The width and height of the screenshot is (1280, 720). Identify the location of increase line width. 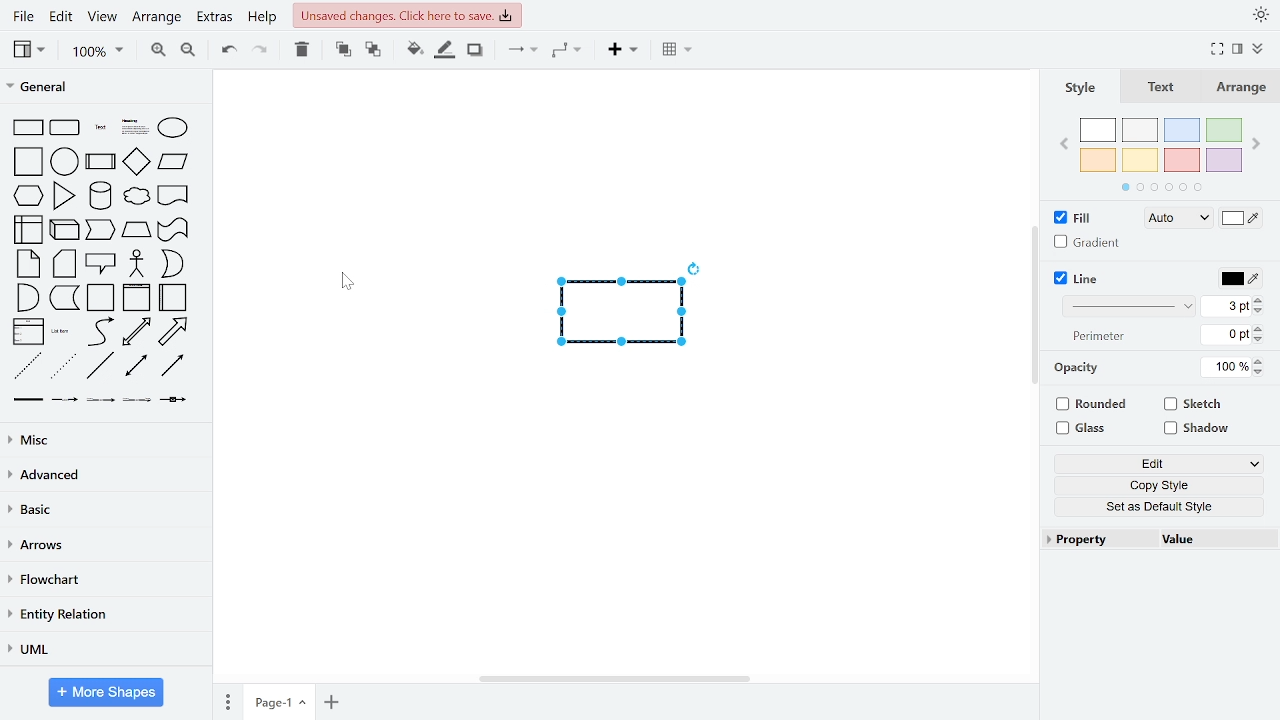
(1259, 300).